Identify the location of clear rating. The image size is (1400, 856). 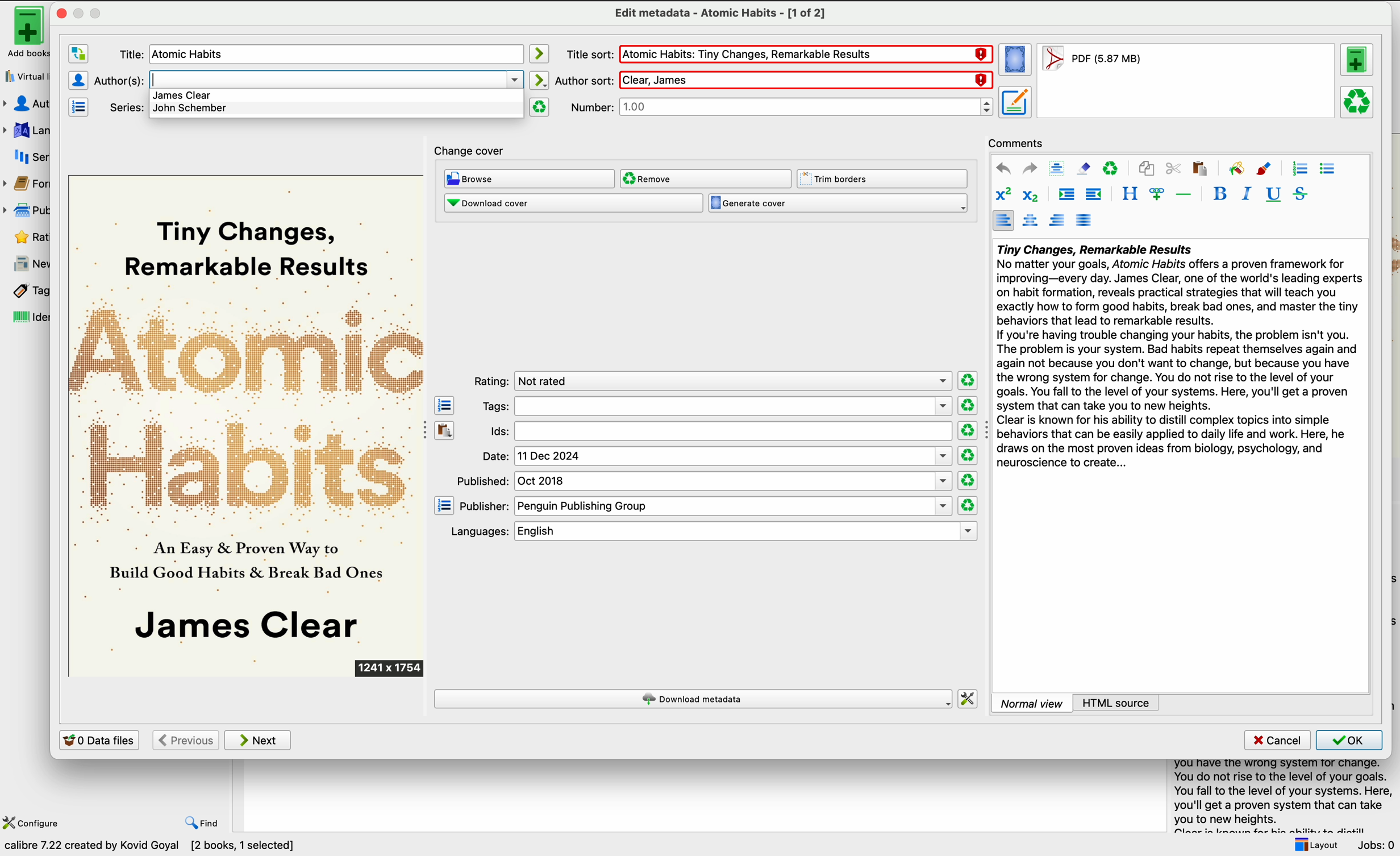
(969, 456).